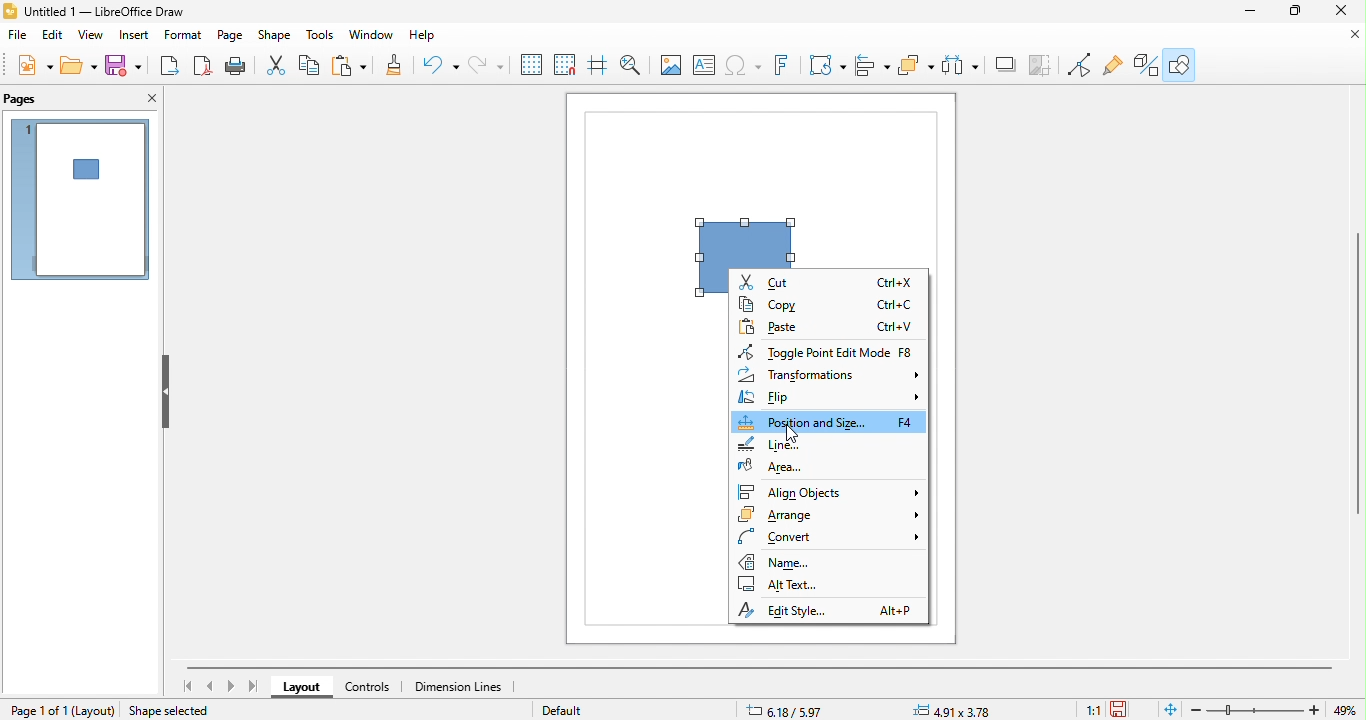 This screenshot has width=1366, height=720. What do you see at coordinates (1340, 10) in the screenshot?
I see `close` at bounding box center [1340, 10].